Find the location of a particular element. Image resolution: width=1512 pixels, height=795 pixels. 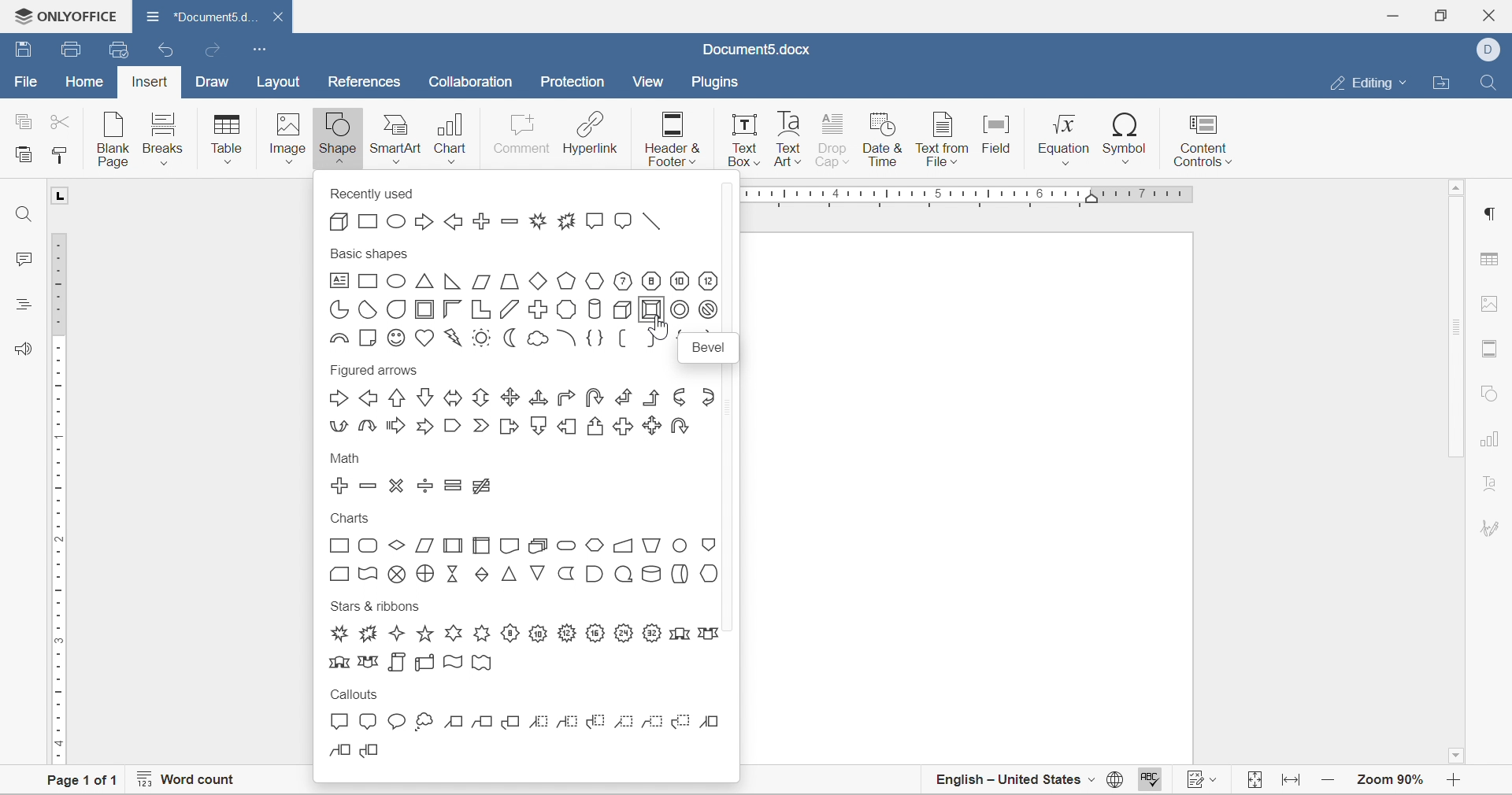

insert is located at coordinates (153, 80).